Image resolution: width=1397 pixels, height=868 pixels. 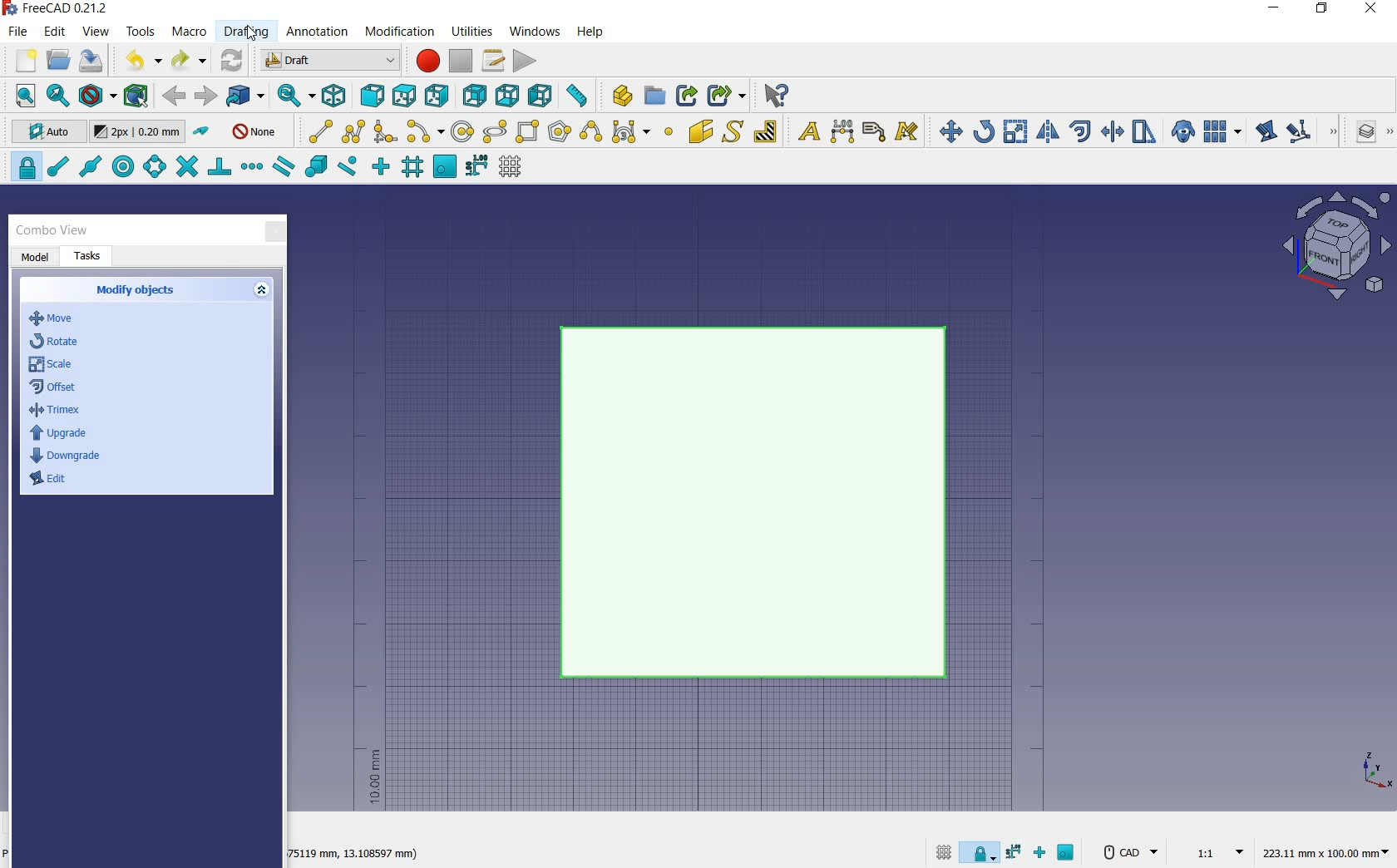 What do you see at coordinates (190, 33) in the screenshot?
I see `macro` at bounding box center [190, 33].